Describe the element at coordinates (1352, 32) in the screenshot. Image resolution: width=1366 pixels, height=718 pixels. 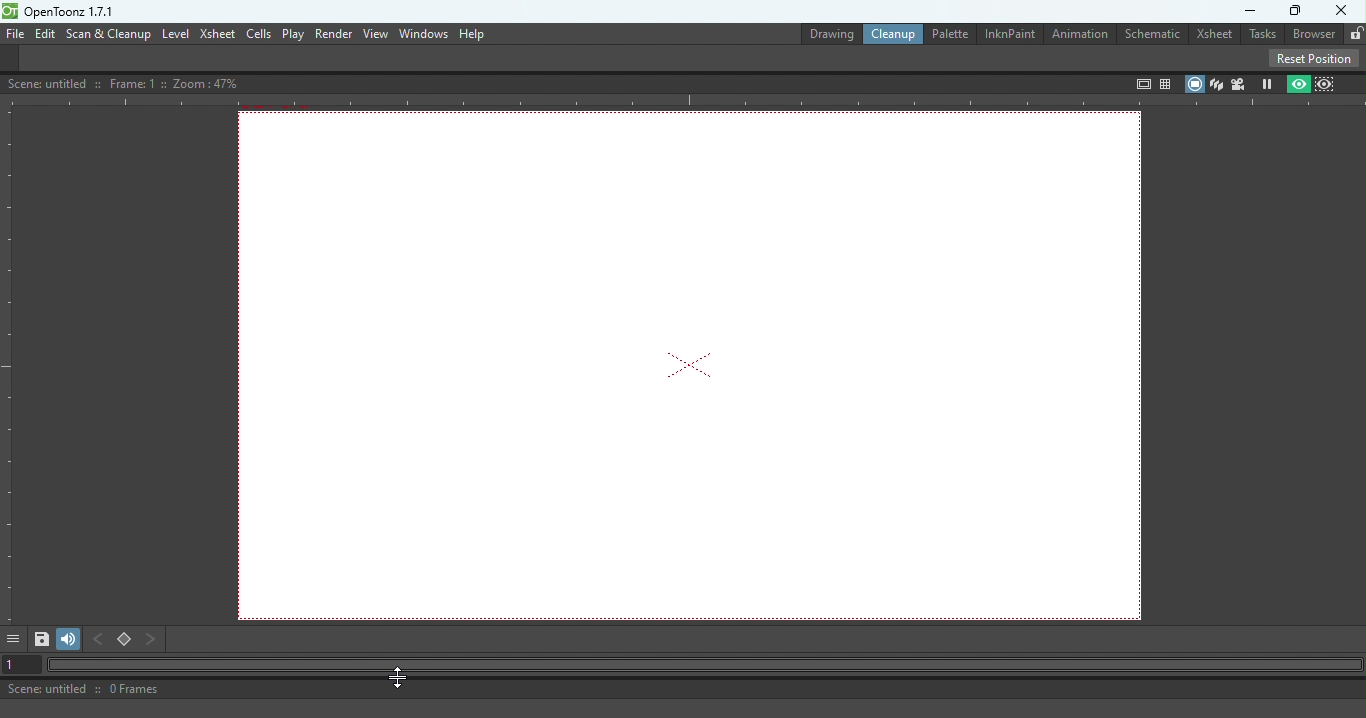
I see `Lock rooms tab` at that location.